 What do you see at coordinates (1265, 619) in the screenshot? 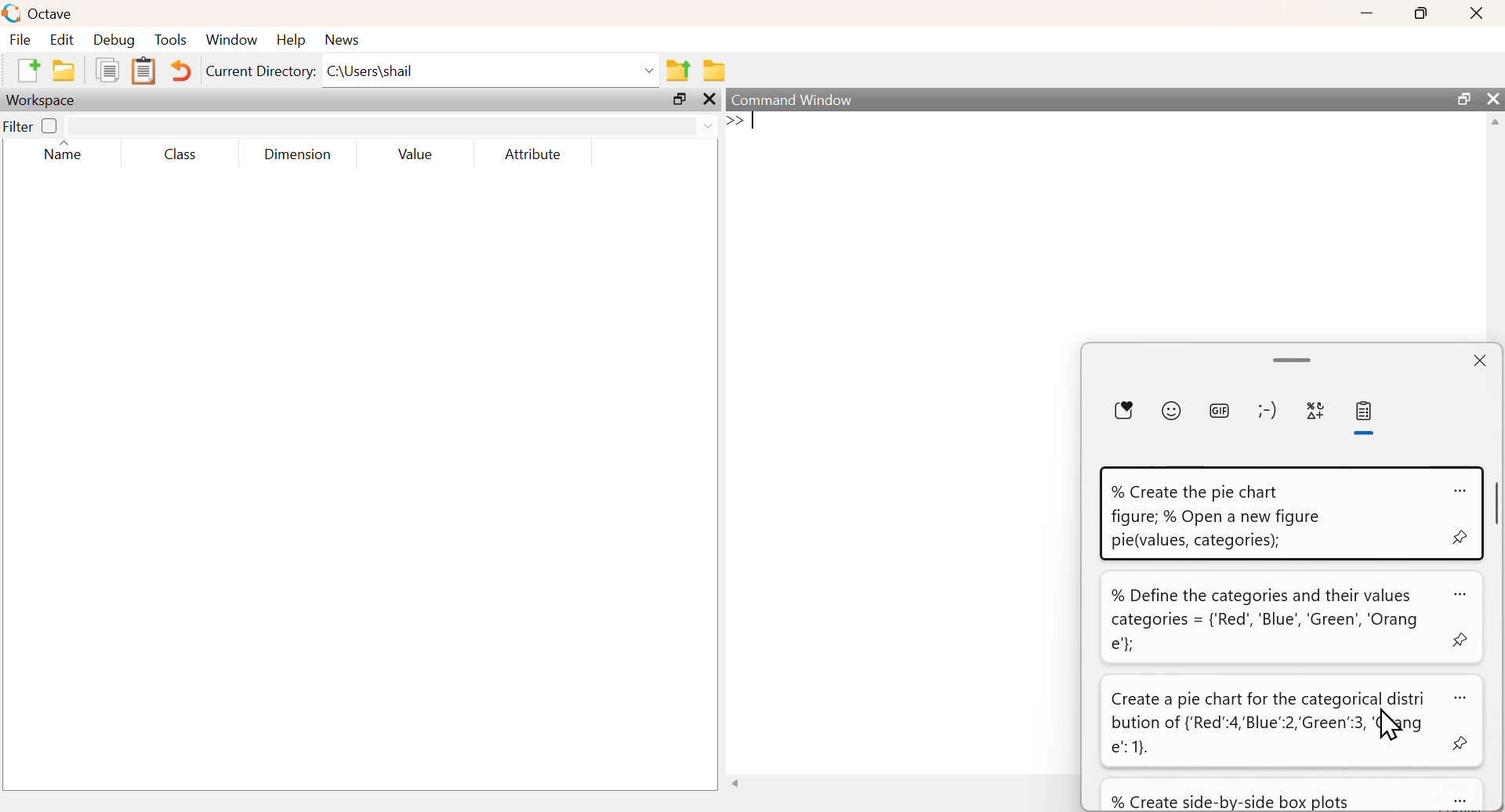
I see `% Define the categories and their values
categories = {'Red, ‘Blue’, ‘Green’, ‘Orang
e'}` at bounding box center [1265, 619].